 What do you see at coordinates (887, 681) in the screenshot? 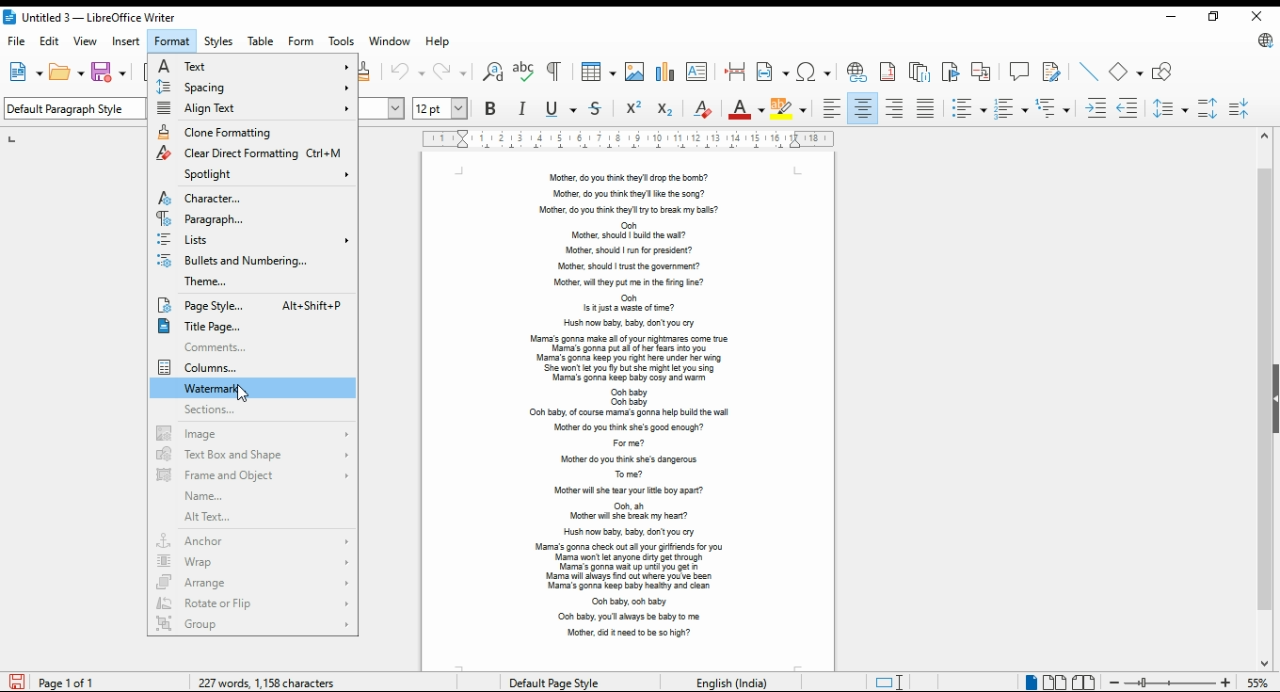
I see `toggle cursor` at bounding box center [887, 681].